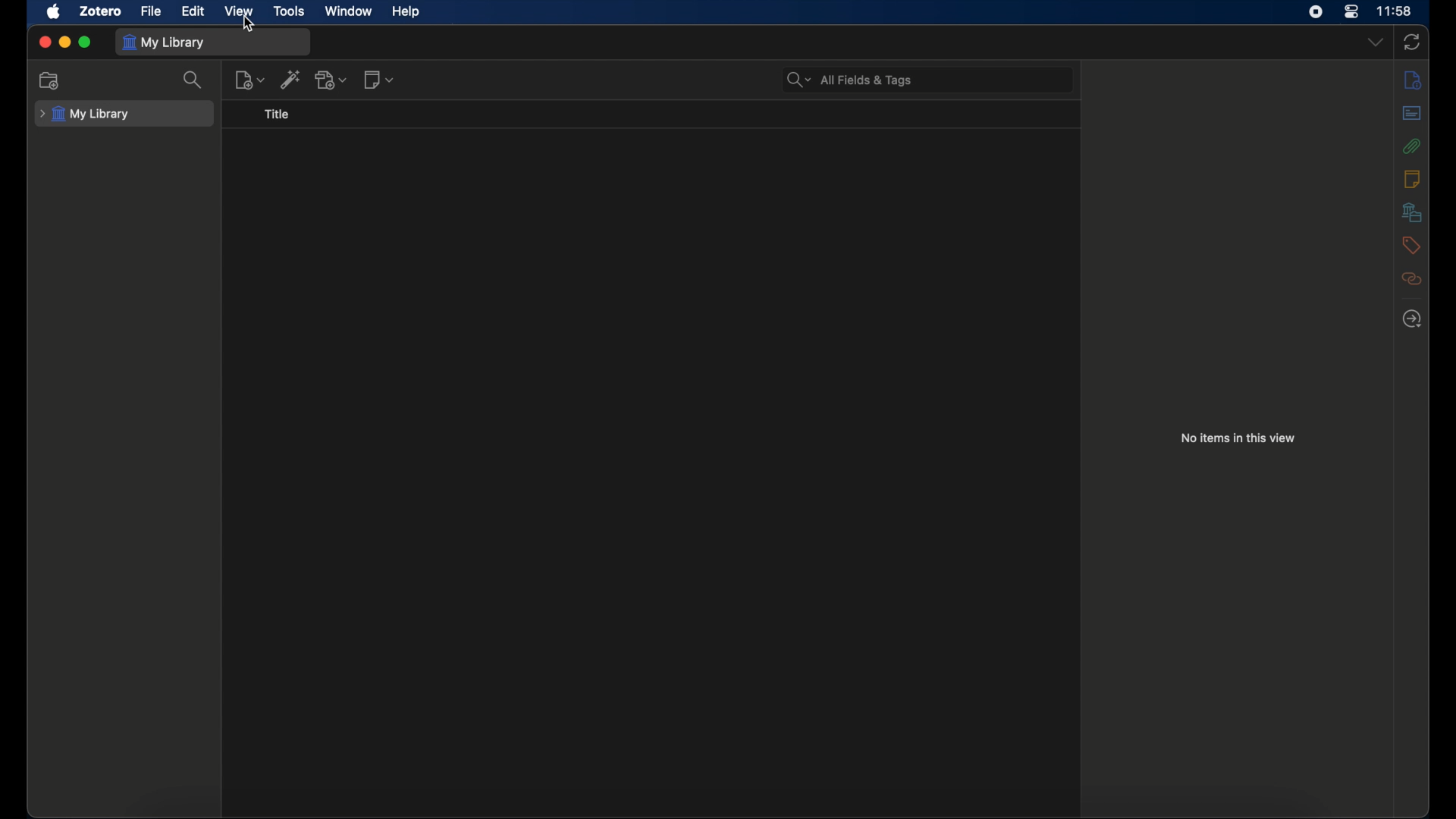 The width and height of the screenshot is (1456, 819). What do you see at coordinates (276, 115) in the screenshot?
I see `title` at bounding box center [276, 115].